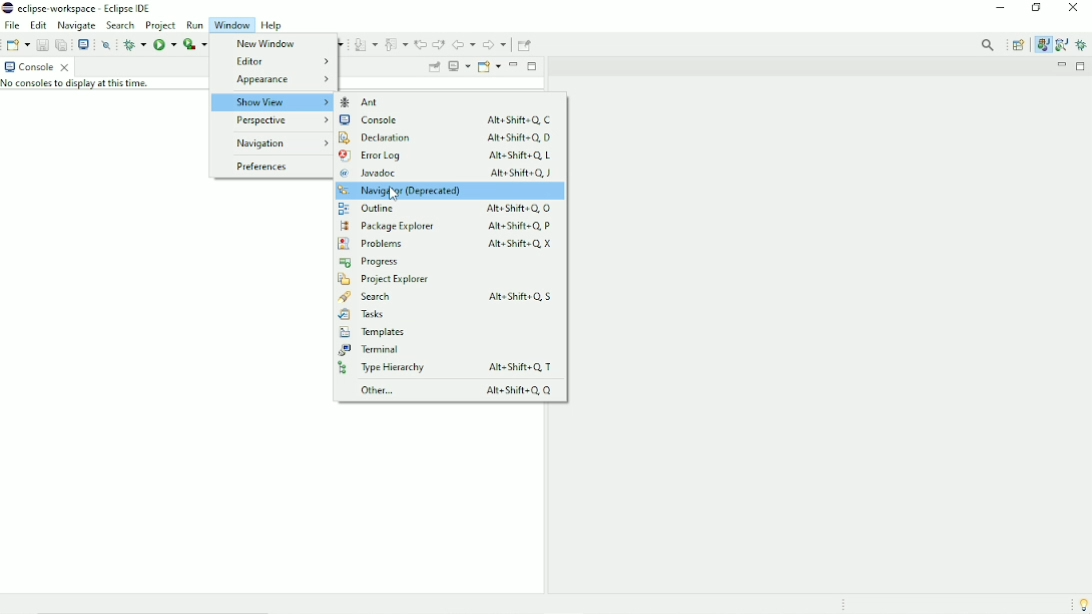 The width and height of the screenshot is (1092, 614). I want to click on Maximize, so click(532, 65).